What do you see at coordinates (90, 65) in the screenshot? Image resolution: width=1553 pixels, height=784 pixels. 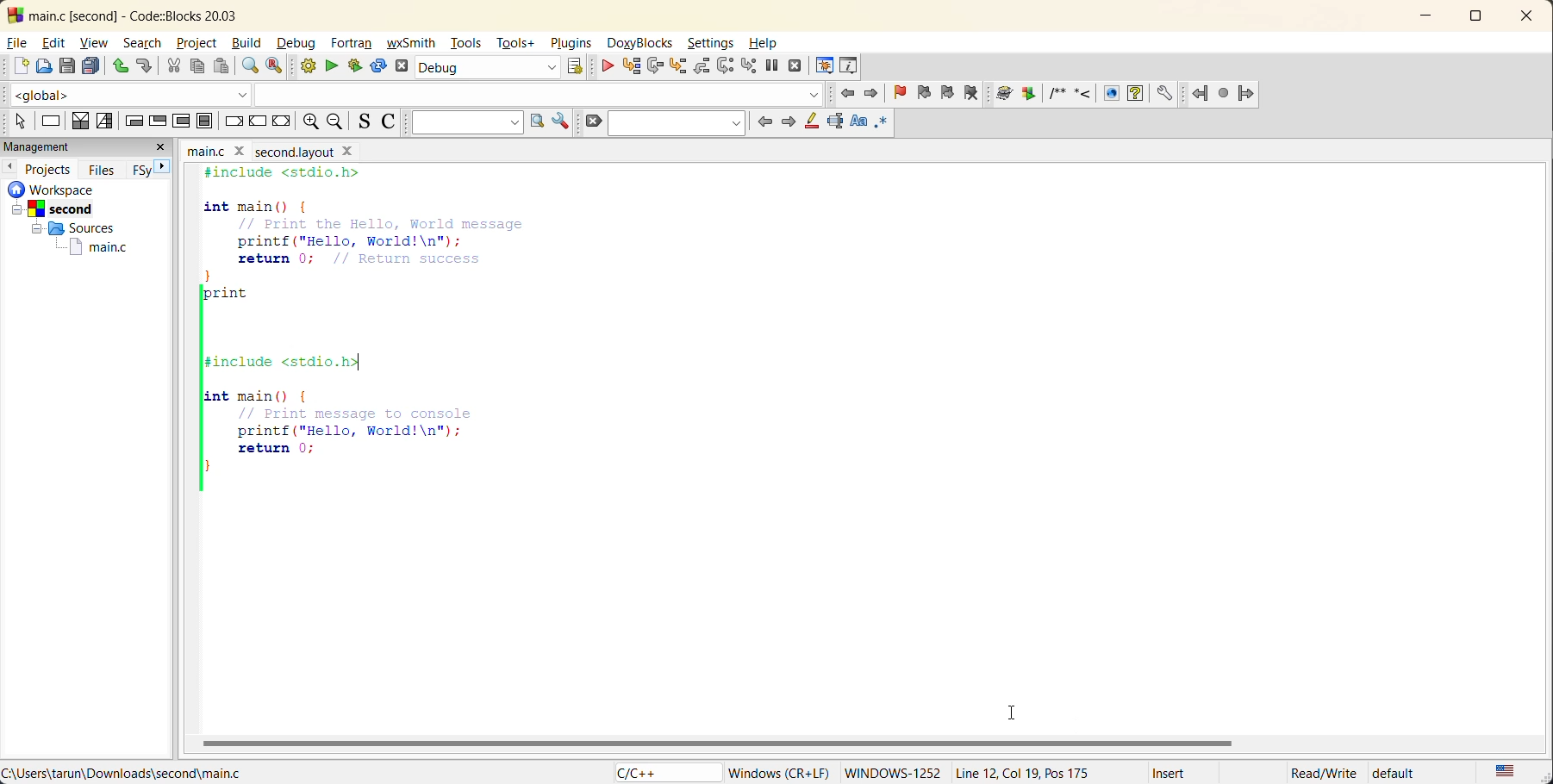 I see `save everything` at bounding box center [90, 65].